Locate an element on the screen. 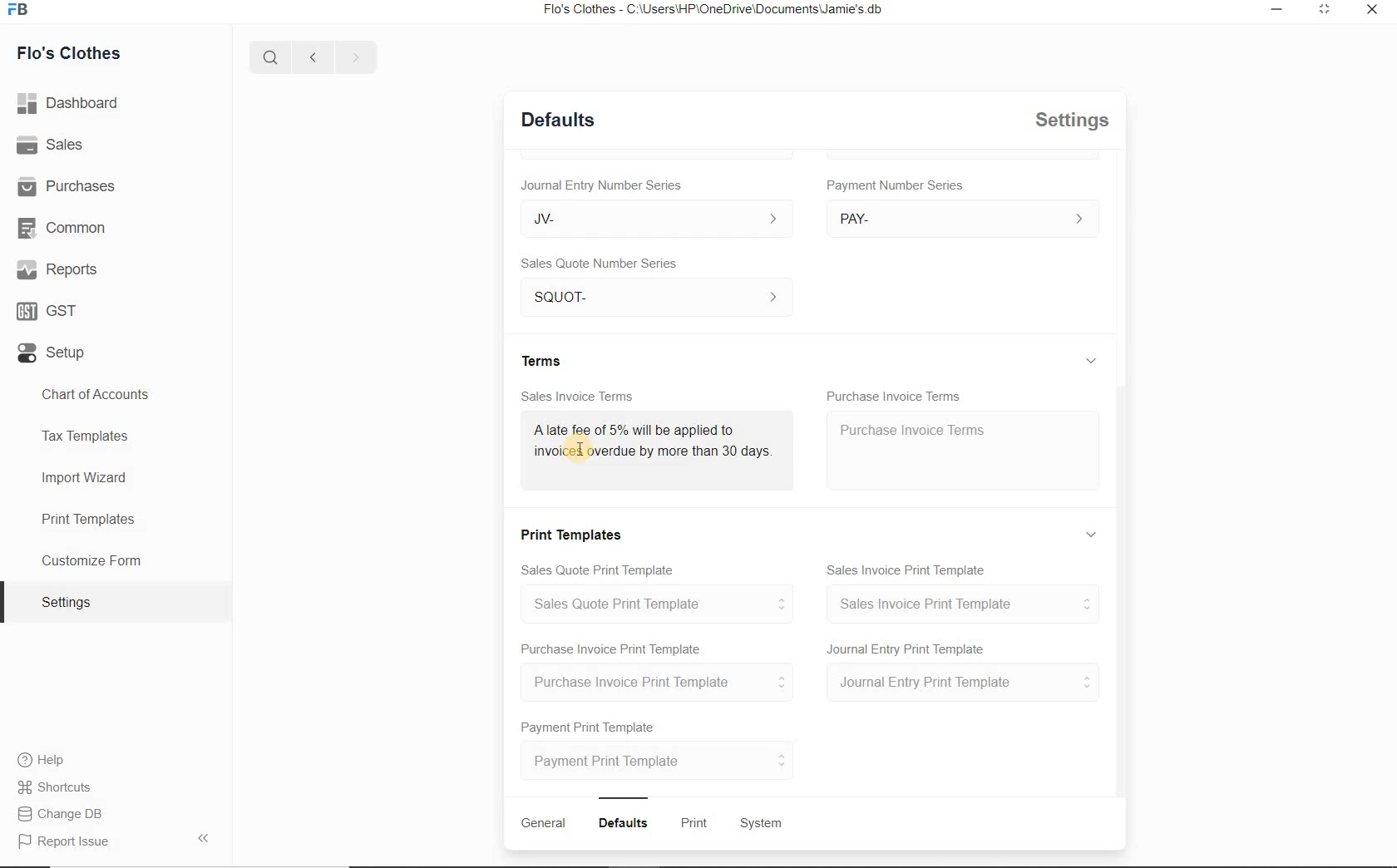 This screenshot has height=868, width=1397. Expand is located at coordinates (1322, 10).